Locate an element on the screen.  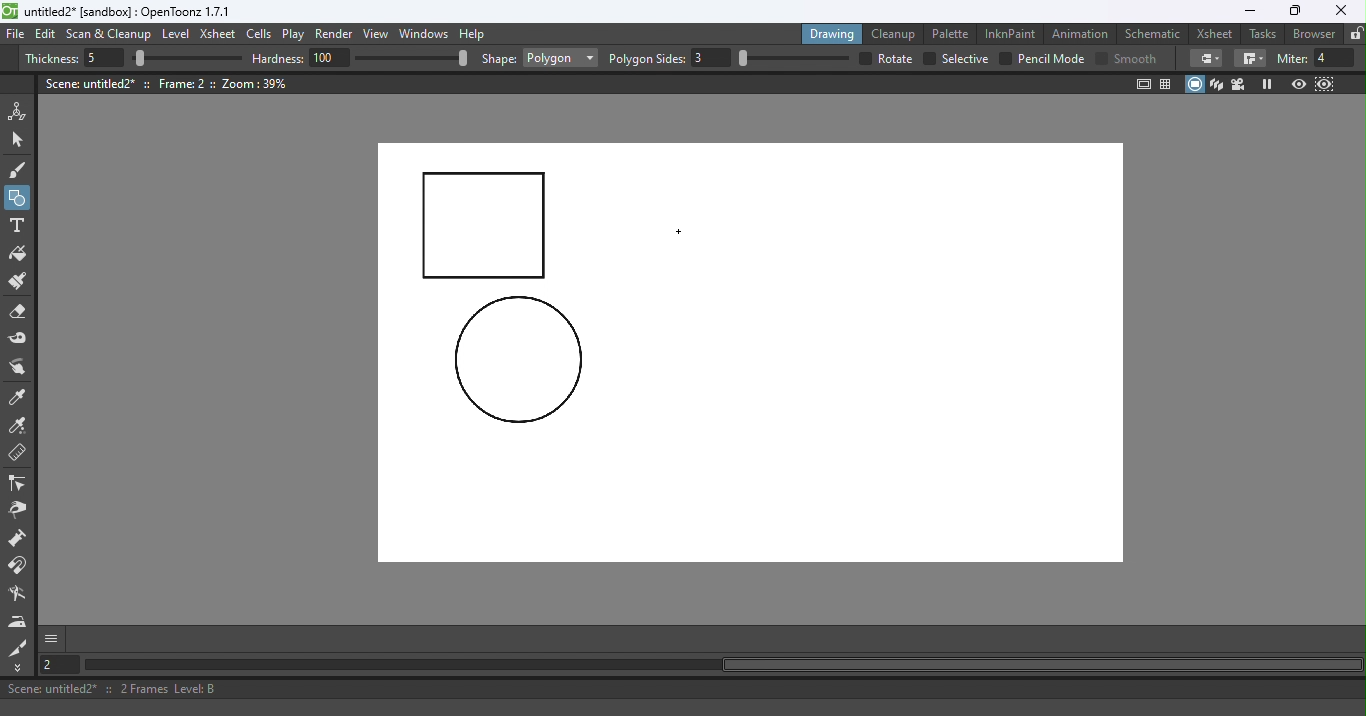
Control point editor tool is located at coordinates (18, 485).